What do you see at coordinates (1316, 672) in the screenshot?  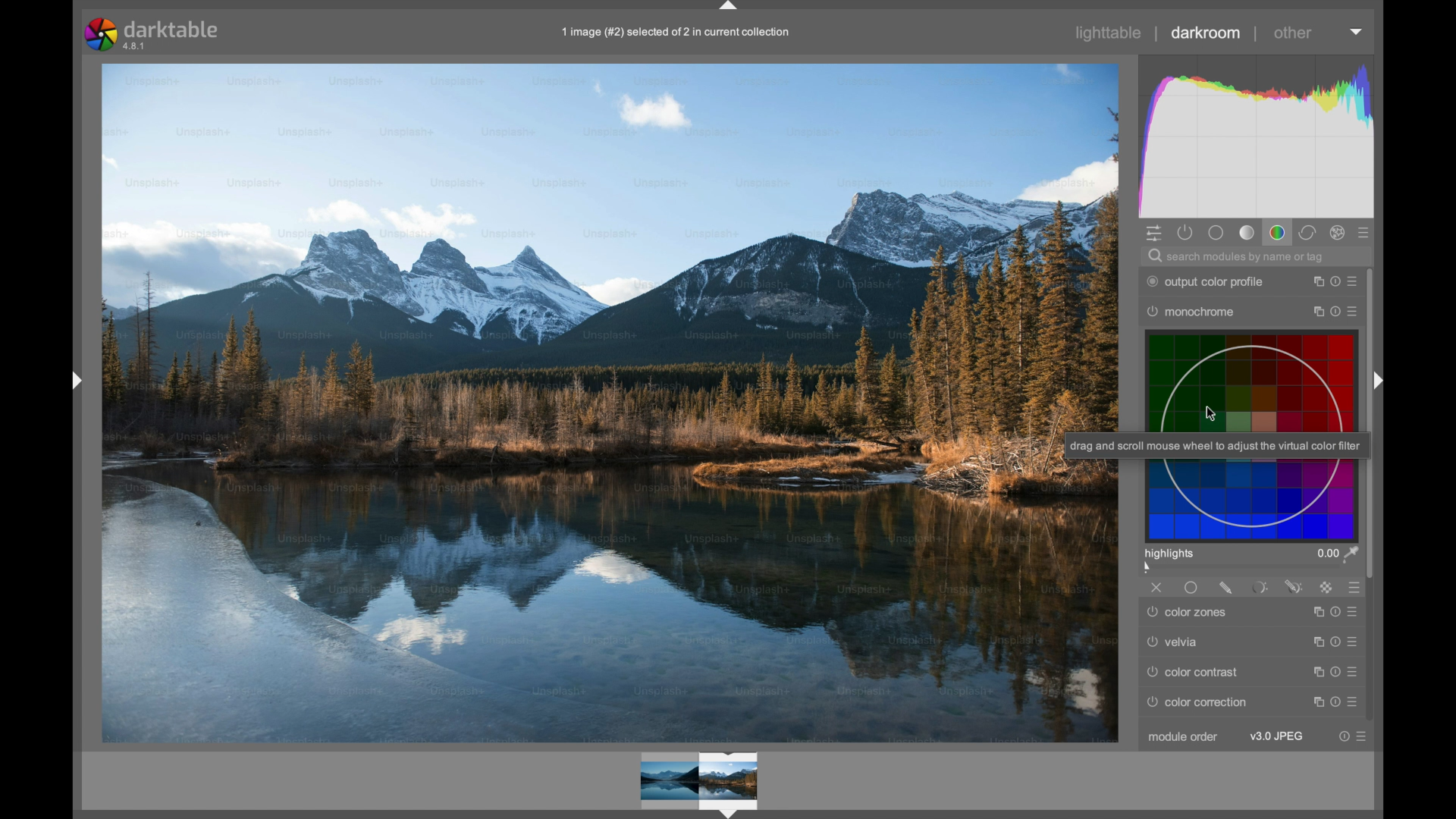 I see `reset` at bounding box center [1316, 672].